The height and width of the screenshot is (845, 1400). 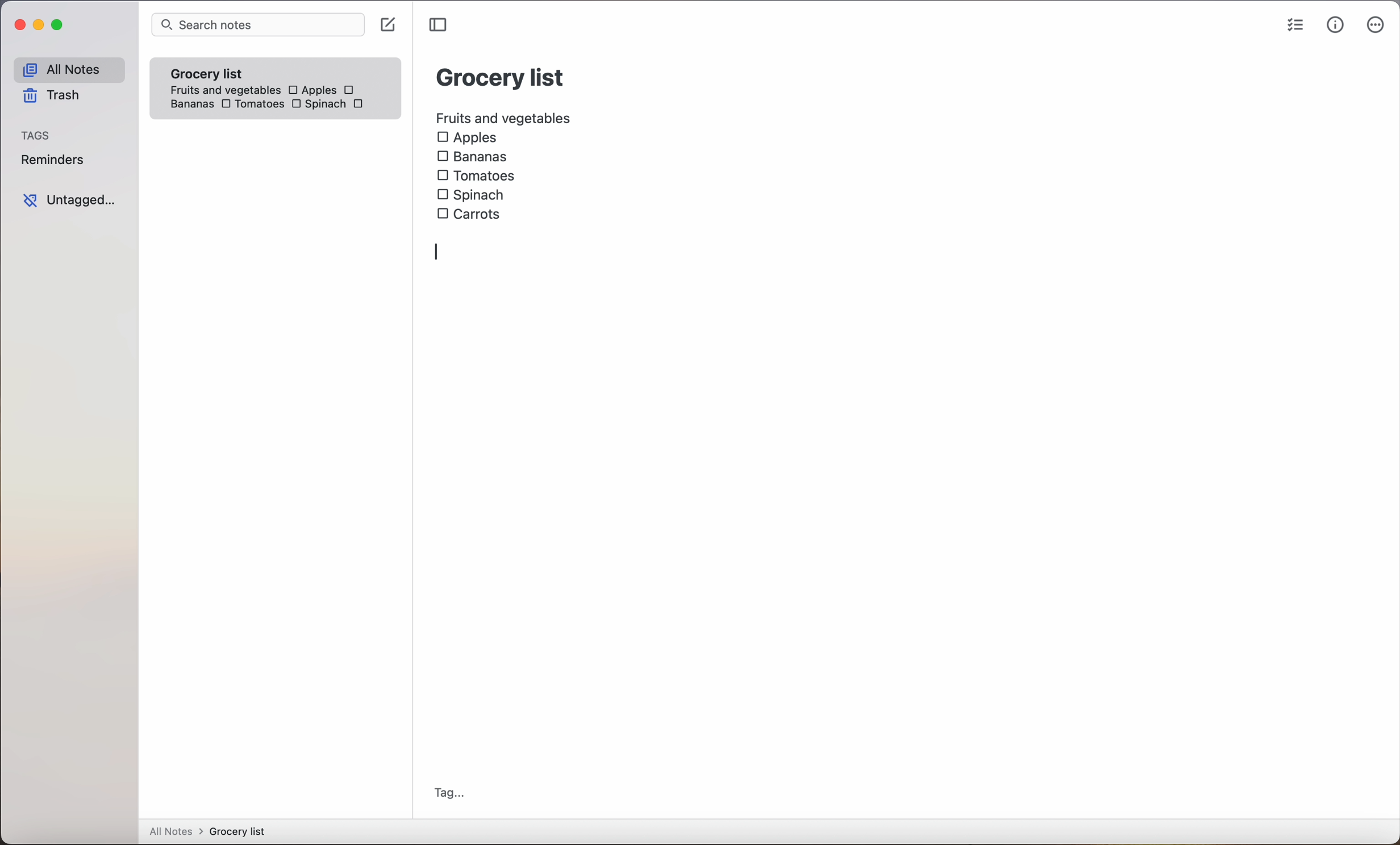 What do you see at coordinates (221, 77) in the screenshot?
I see `grocery list note fruits and vegetables` at bounding box center [221, 77].